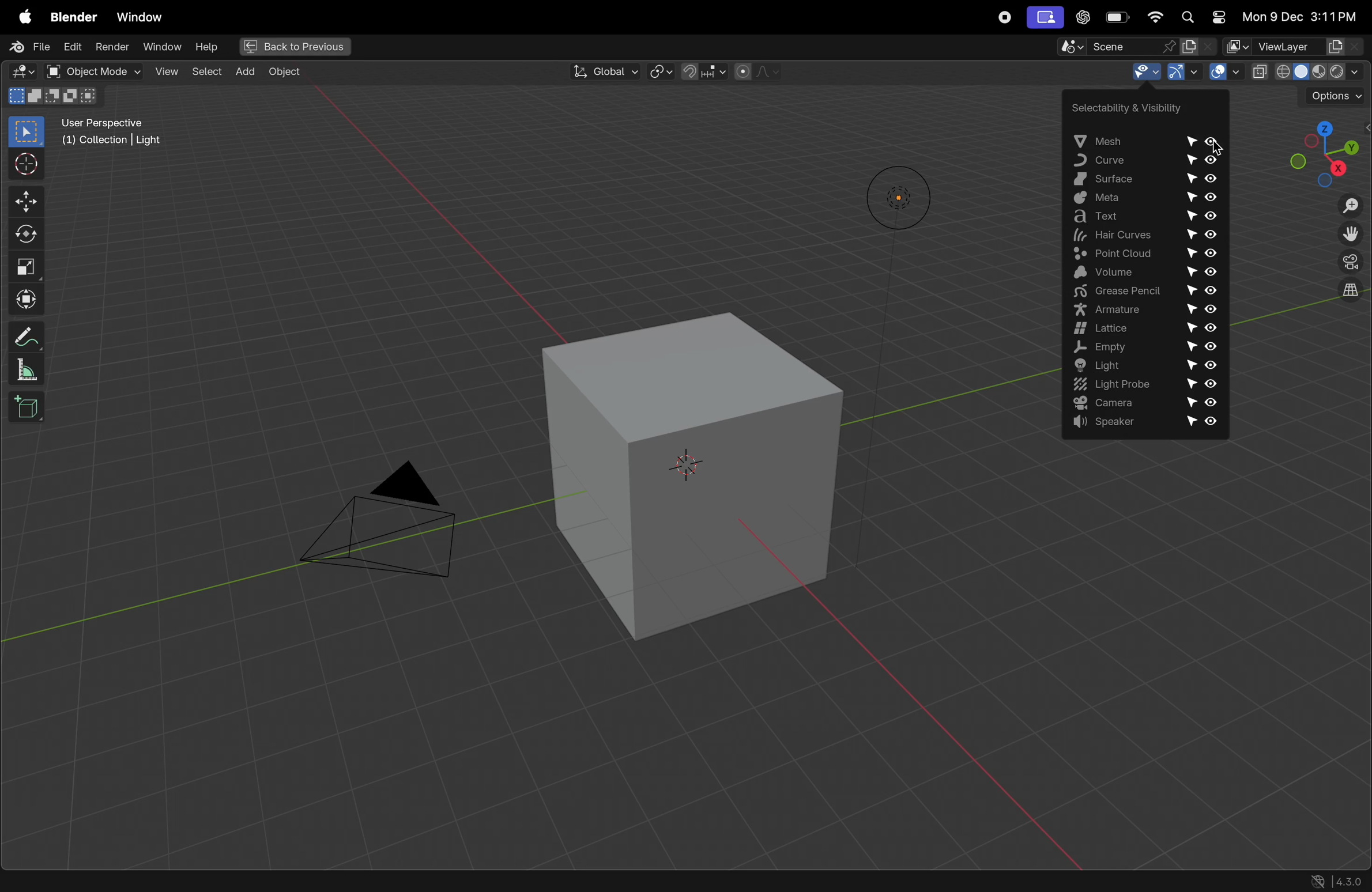 Image resolution: width=1372 pixels, height=892 pixels. Describe the element at coordinates (284, 74) in the screenshot. I see `object` at that location.